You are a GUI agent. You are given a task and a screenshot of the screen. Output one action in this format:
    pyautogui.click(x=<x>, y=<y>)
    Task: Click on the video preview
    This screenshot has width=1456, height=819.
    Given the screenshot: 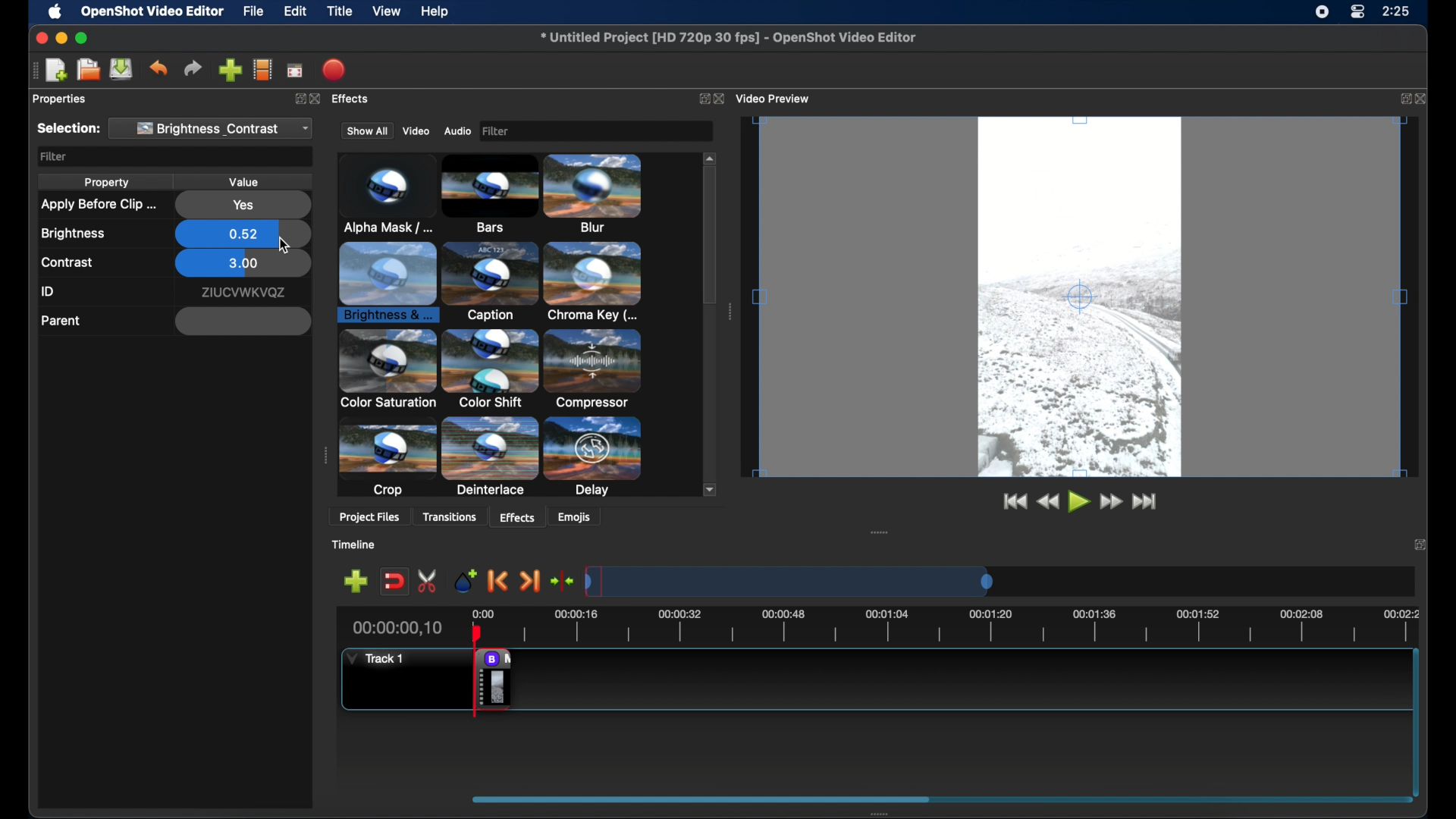 What is the action you would take?
    pyautogui.click(x=1085, y=304)
    